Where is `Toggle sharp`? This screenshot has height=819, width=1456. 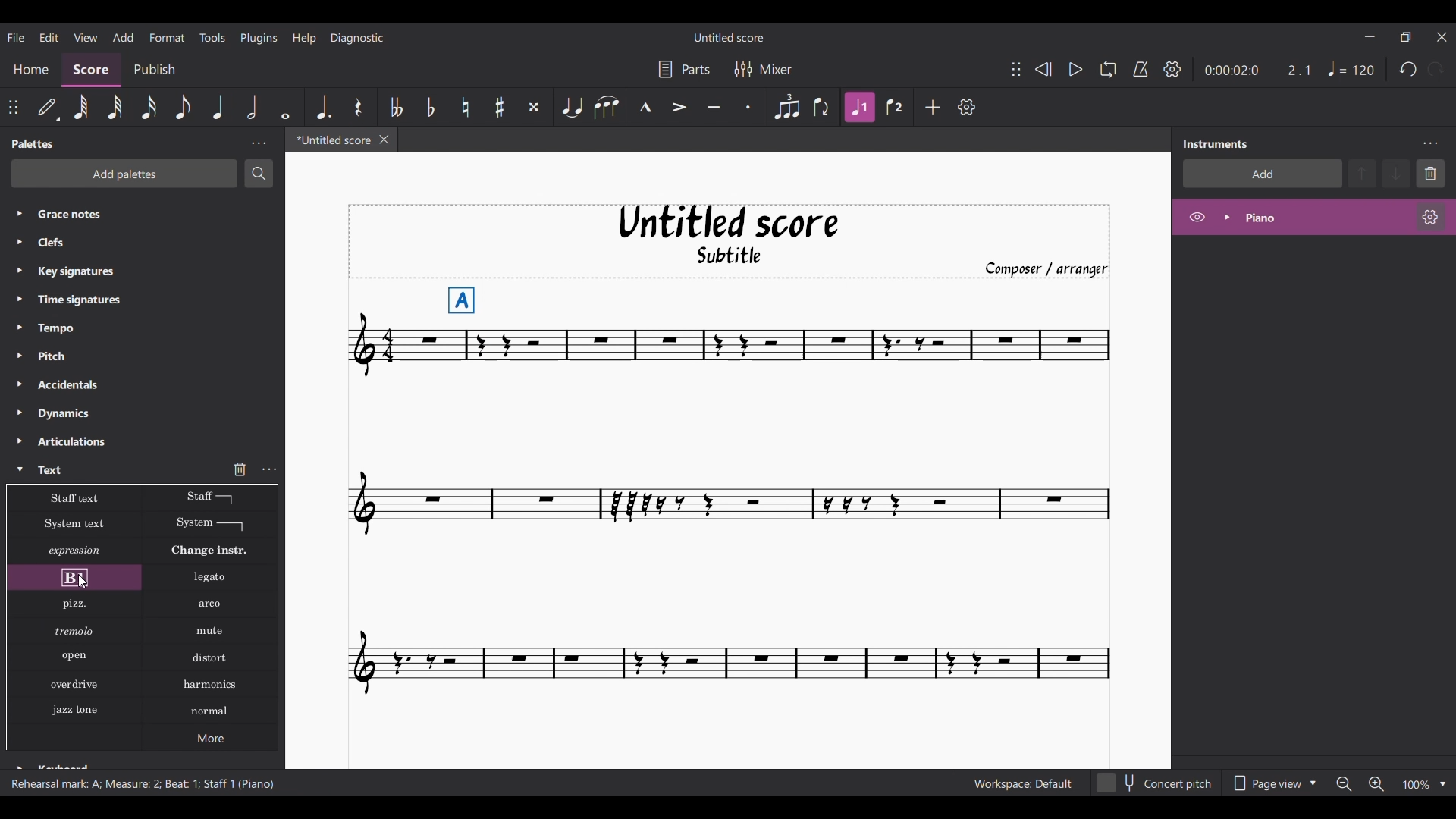 Toggle sharp is located at coordinates (500, 107).